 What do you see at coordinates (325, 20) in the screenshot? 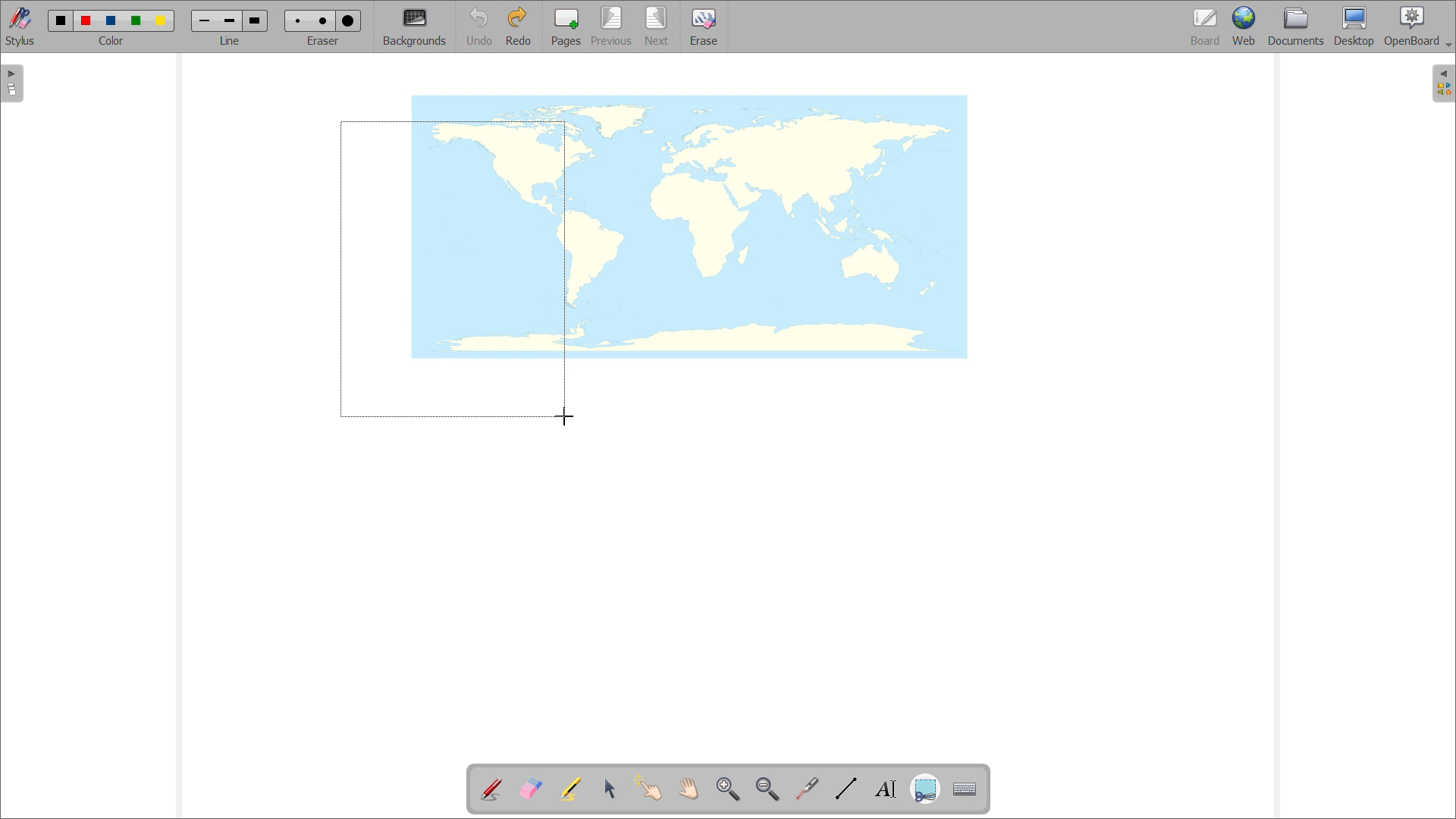
I see `medium` at bounding box center [325, 20].